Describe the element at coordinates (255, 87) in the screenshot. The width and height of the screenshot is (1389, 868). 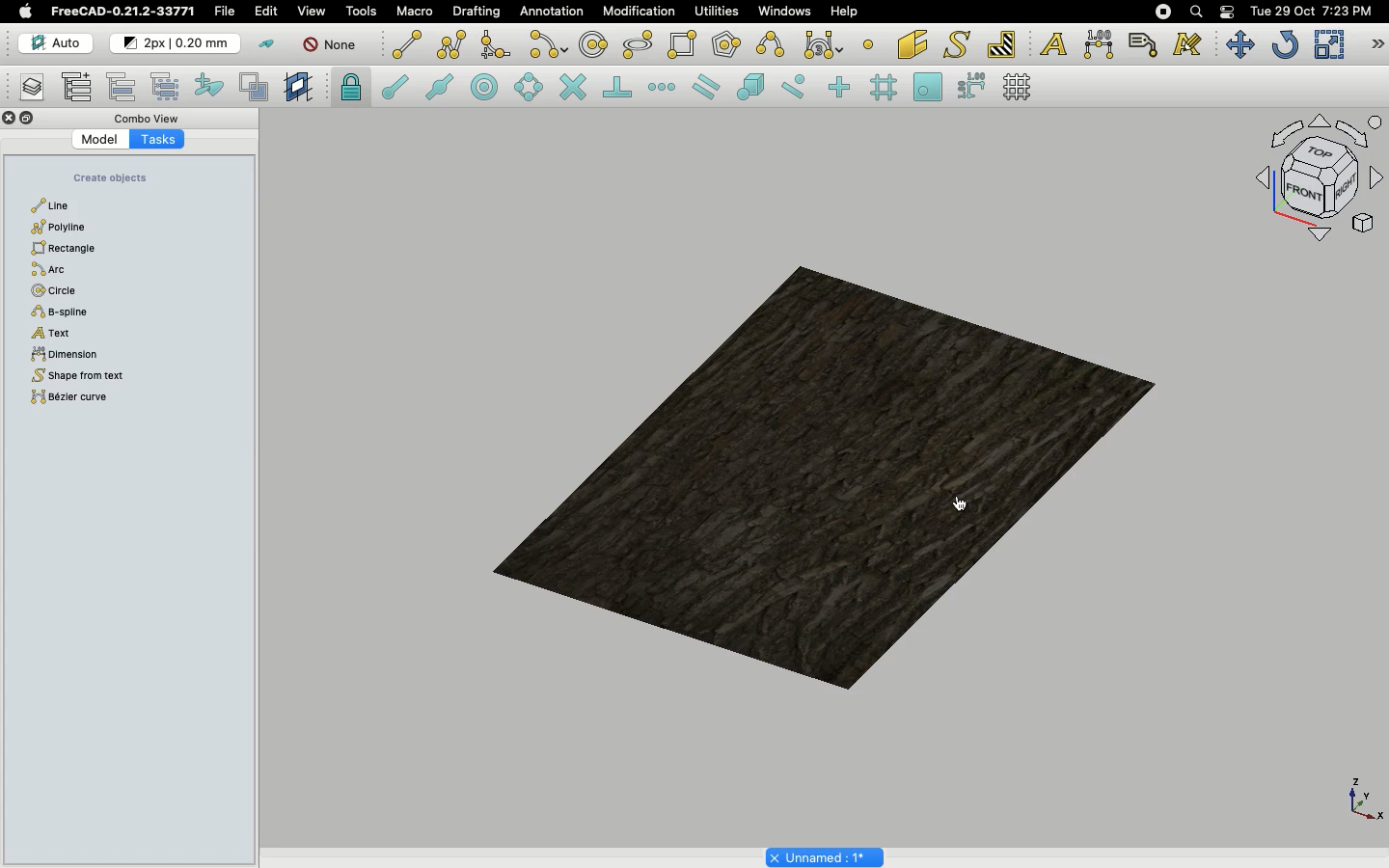
I see `Toggle normal/wireframe display` at that location.